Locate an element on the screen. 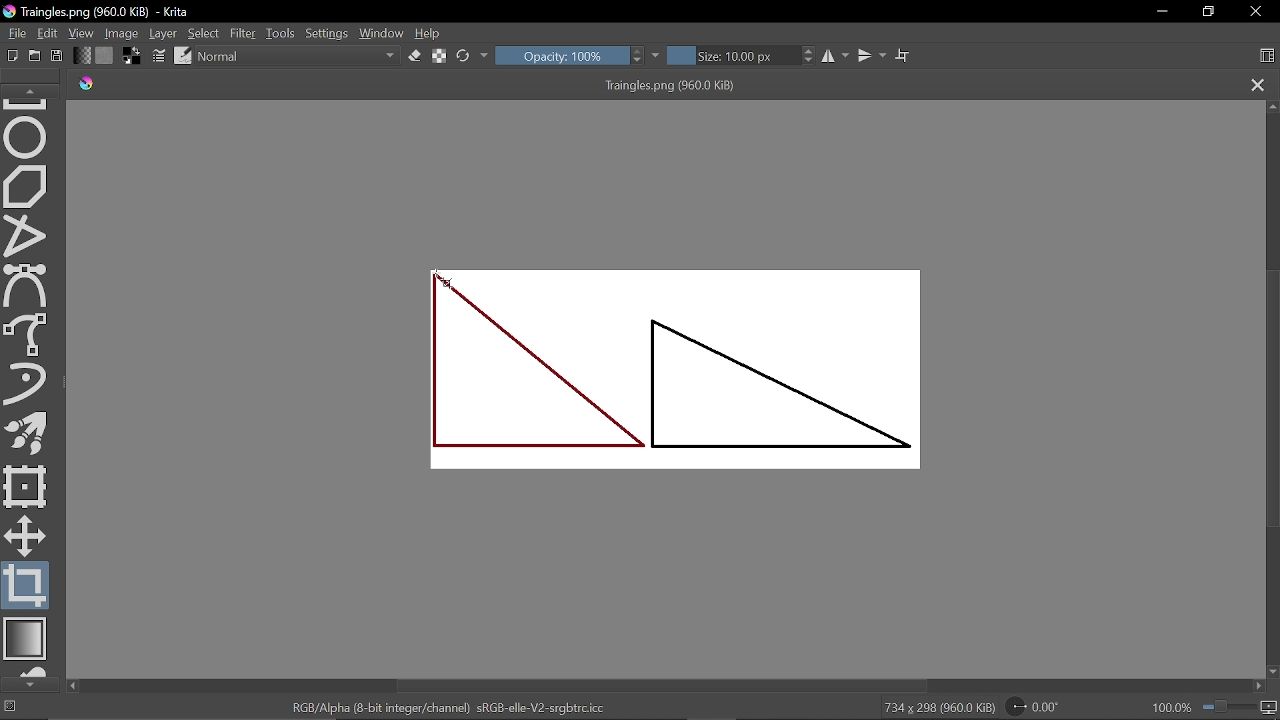 The image size is (1280, 720). Move down in tools is located at coordinates (29, 685).